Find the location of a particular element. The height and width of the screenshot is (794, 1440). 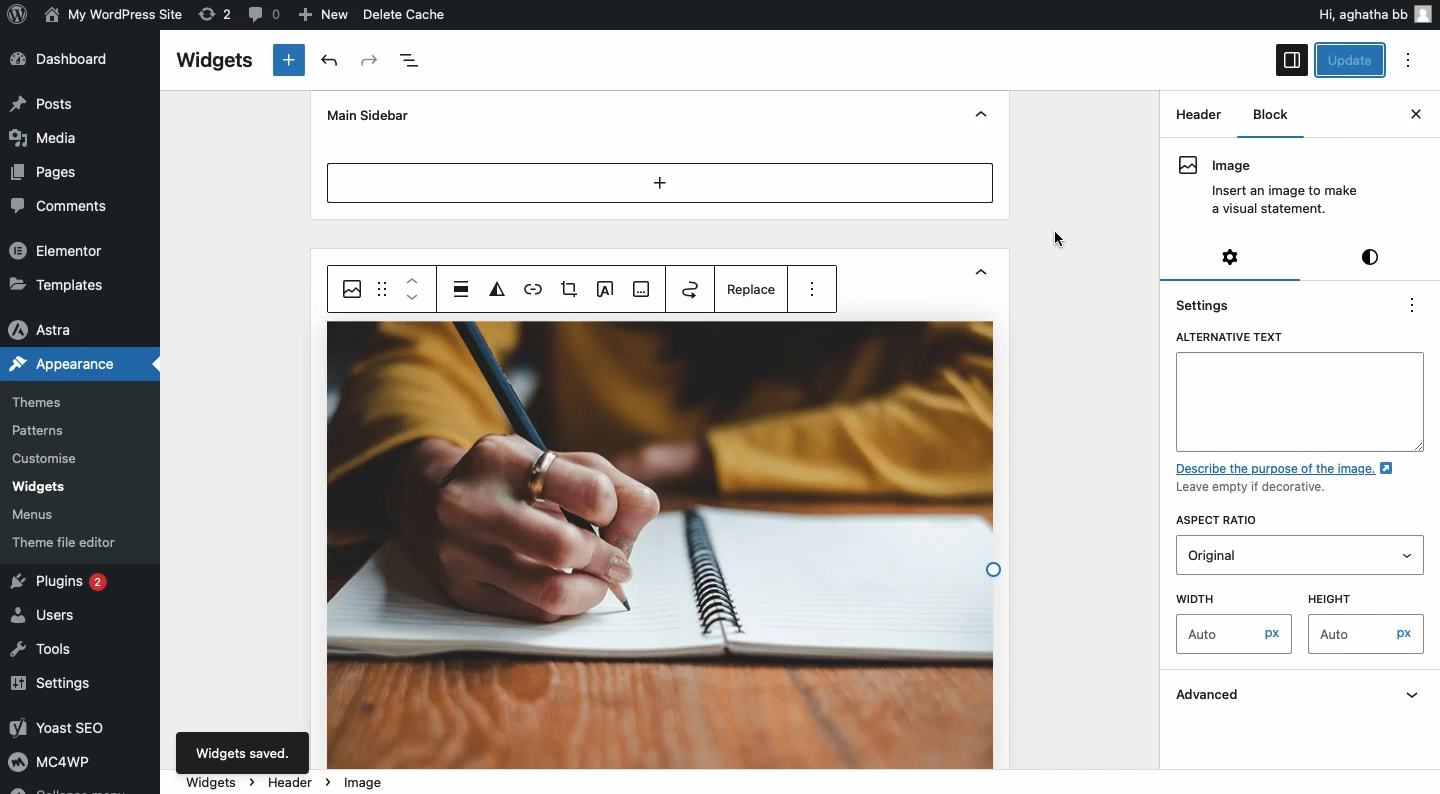

Mine sidebar is located at coordinates (365, 115).